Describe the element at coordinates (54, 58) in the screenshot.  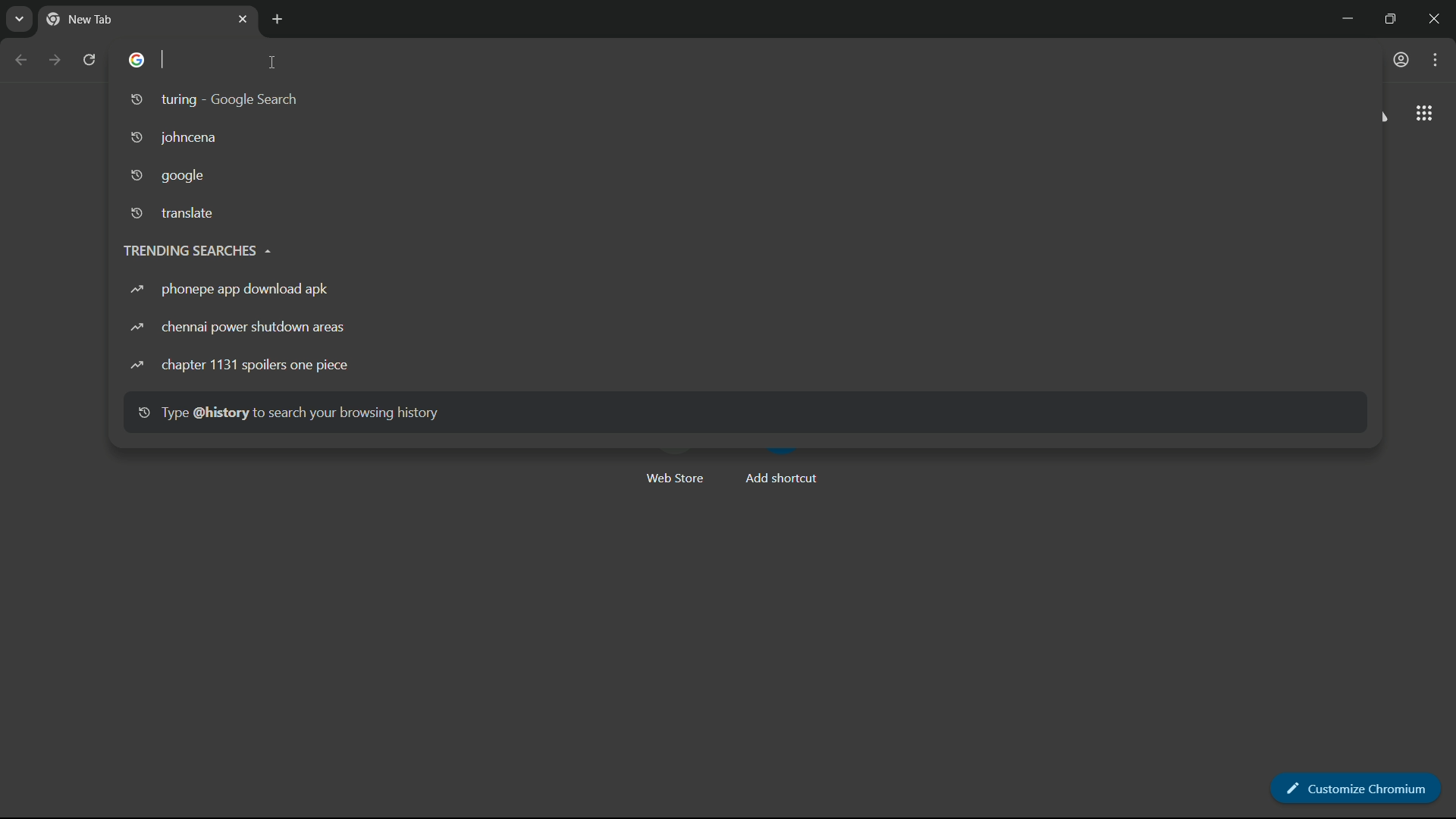
I see `forward` at that location.